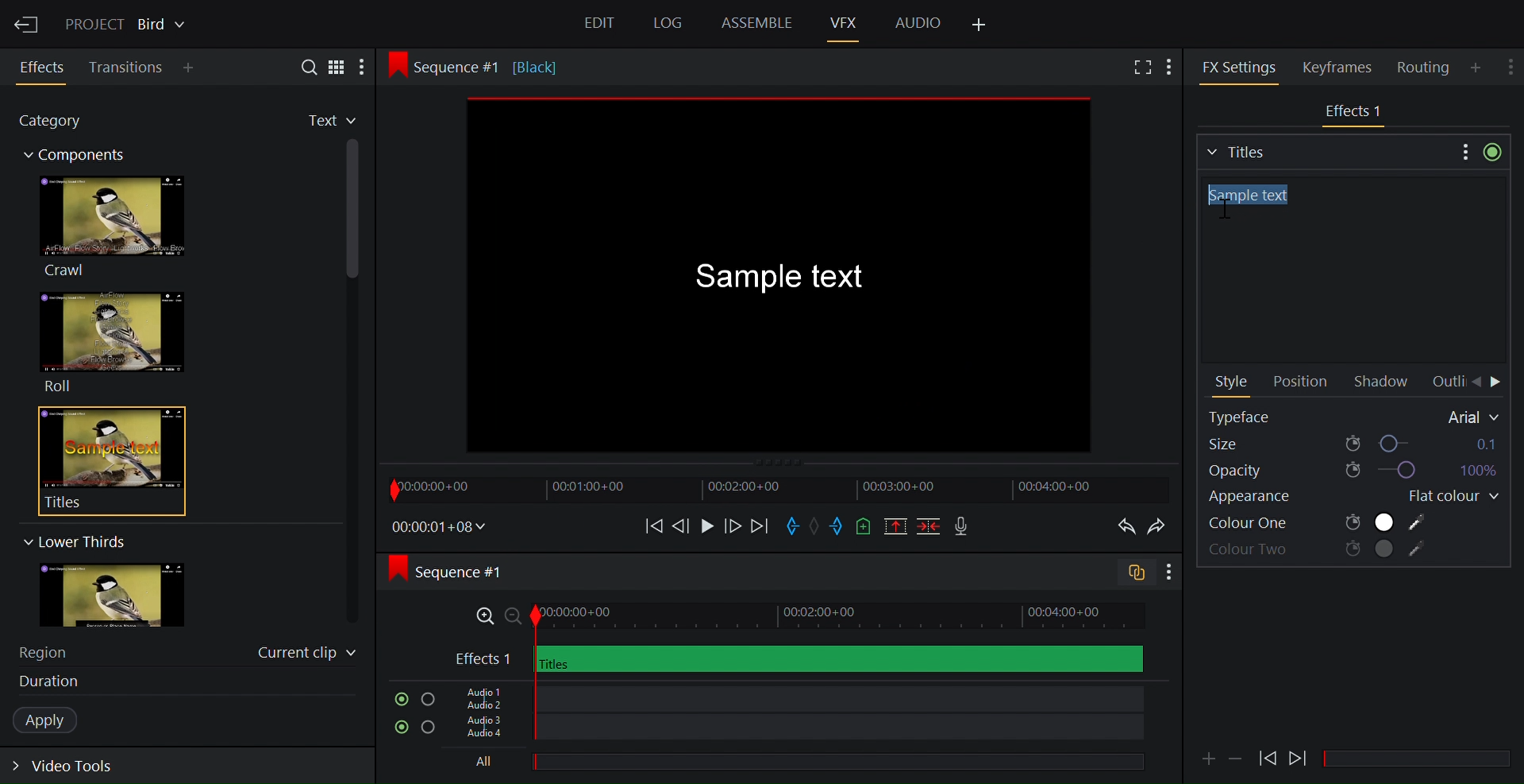 The image size is (1524, 784). I want to click on Move forward, so click(759, 527).